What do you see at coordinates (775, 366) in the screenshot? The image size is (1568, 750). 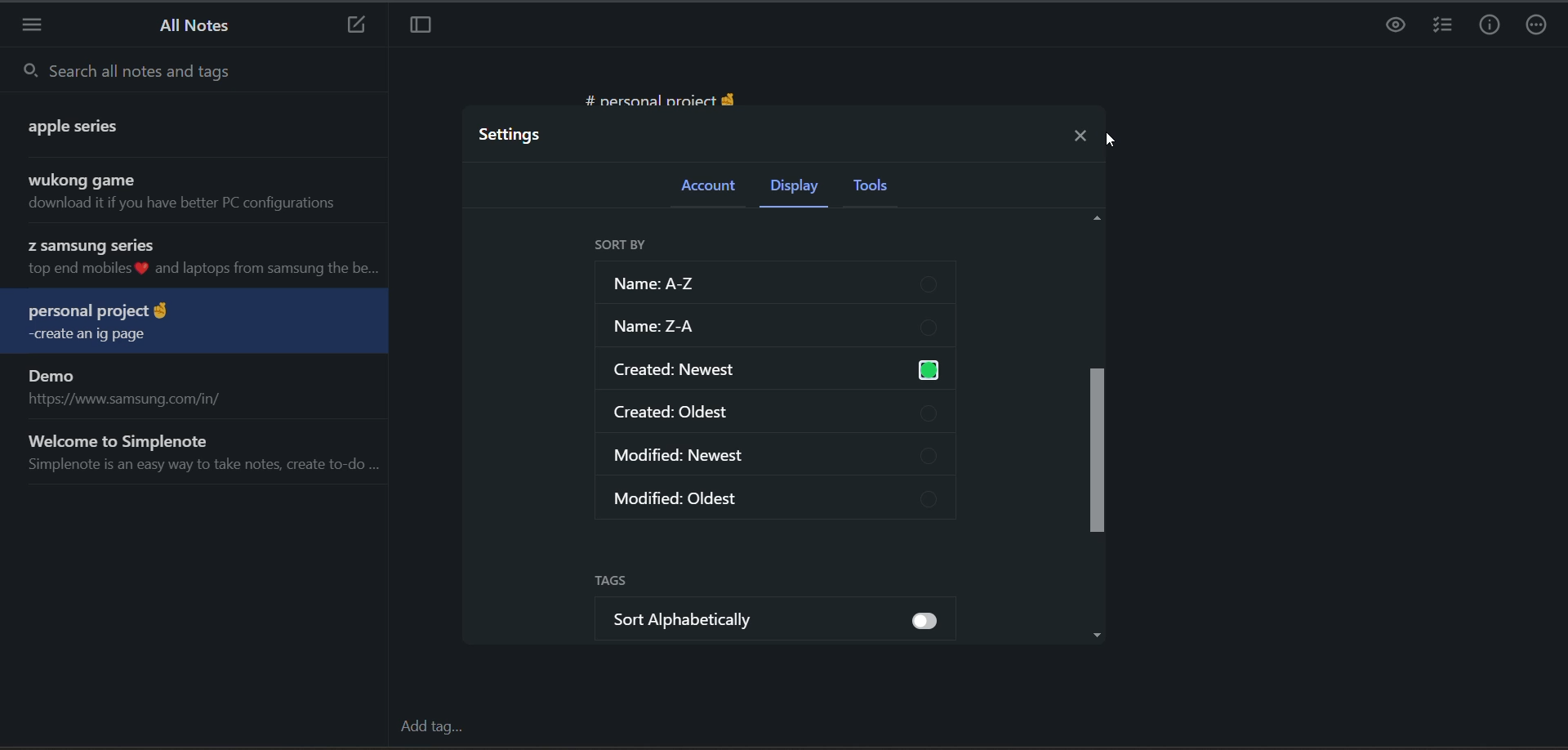 I see `created newest enabled` at bounding box center [775, 366].